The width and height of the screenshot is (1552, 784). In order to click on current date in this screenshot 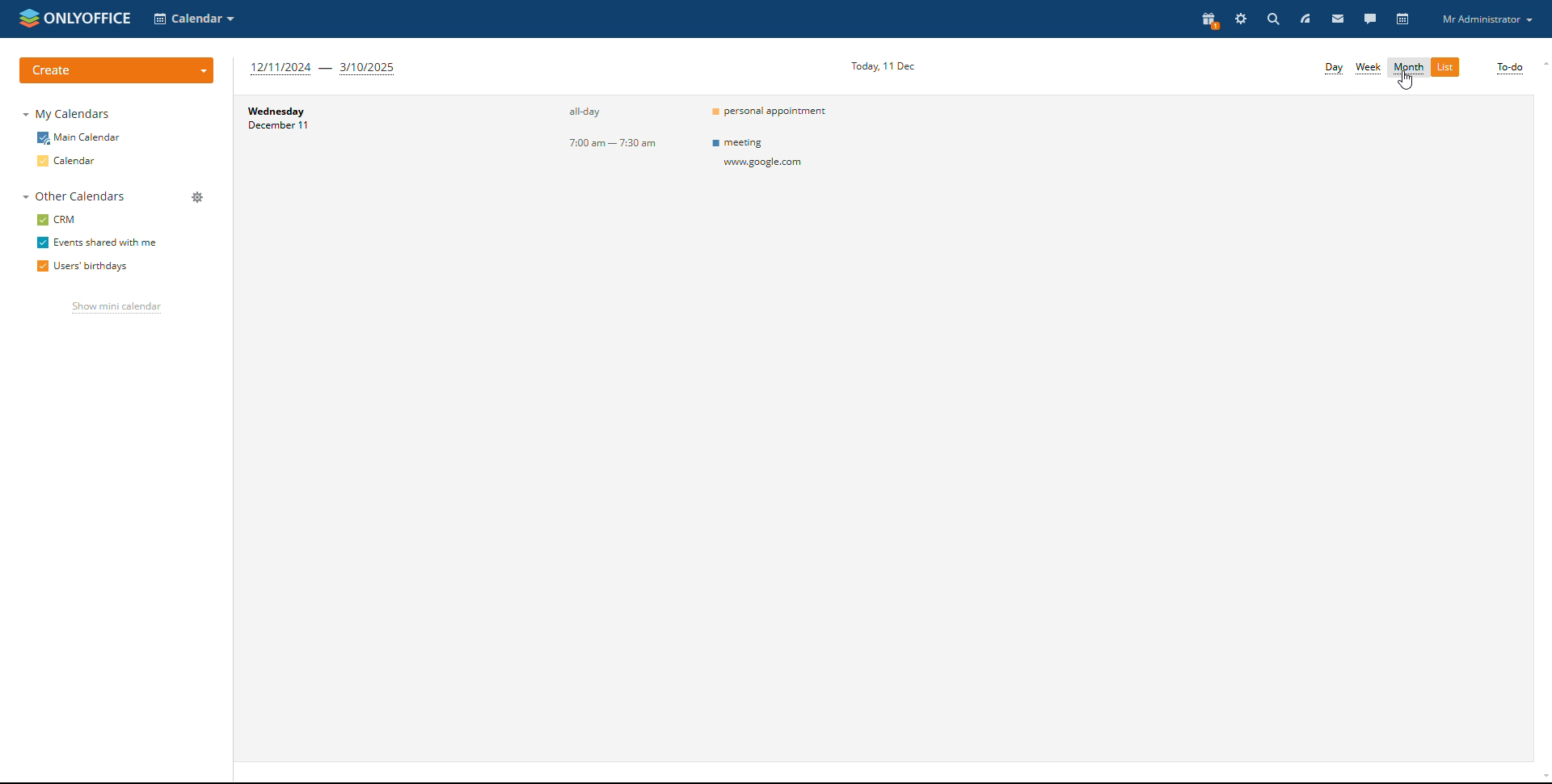, I will do `click(881, 65)`.